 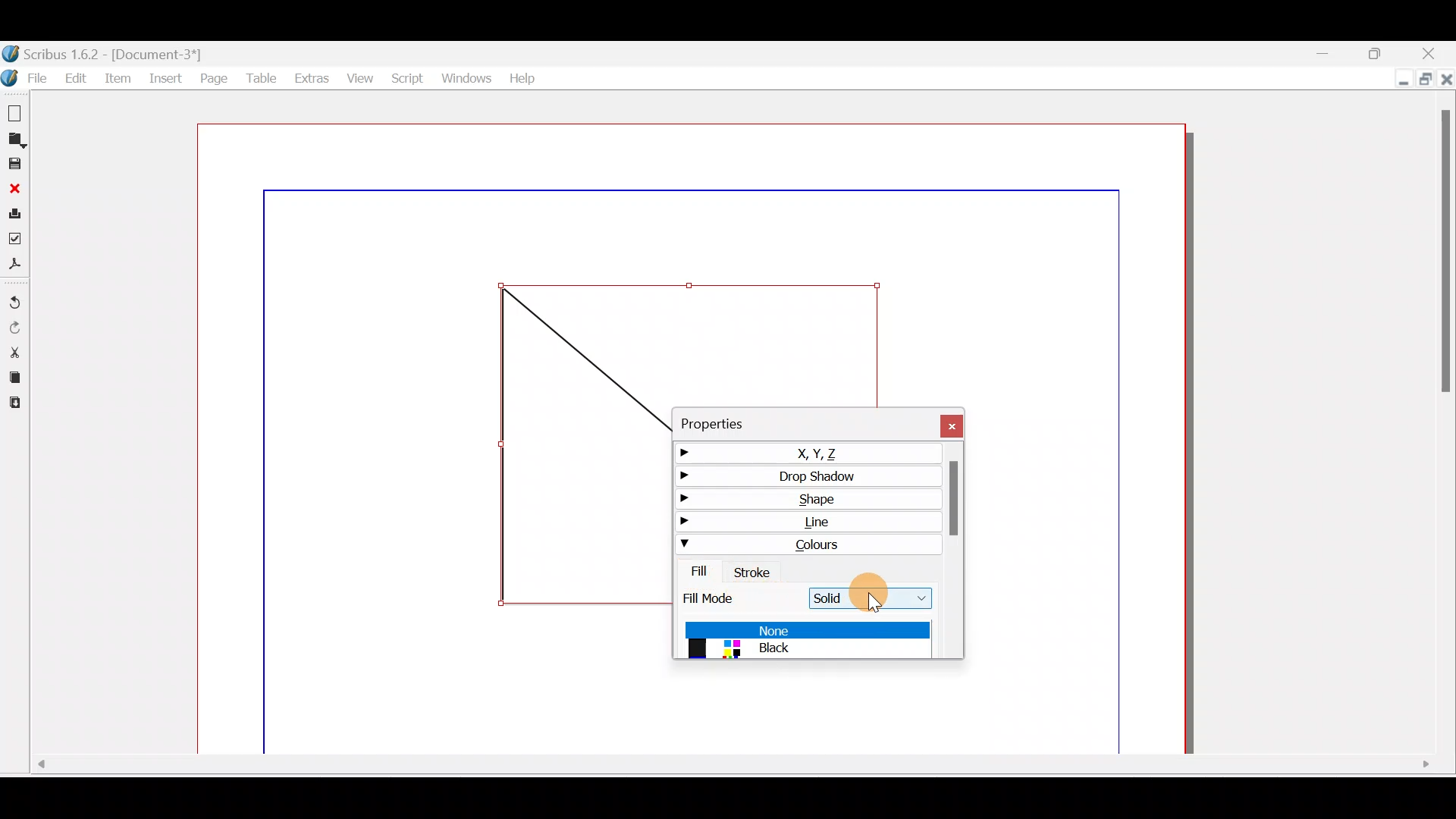 I want to click on Fill, so click(x=694, y=571).